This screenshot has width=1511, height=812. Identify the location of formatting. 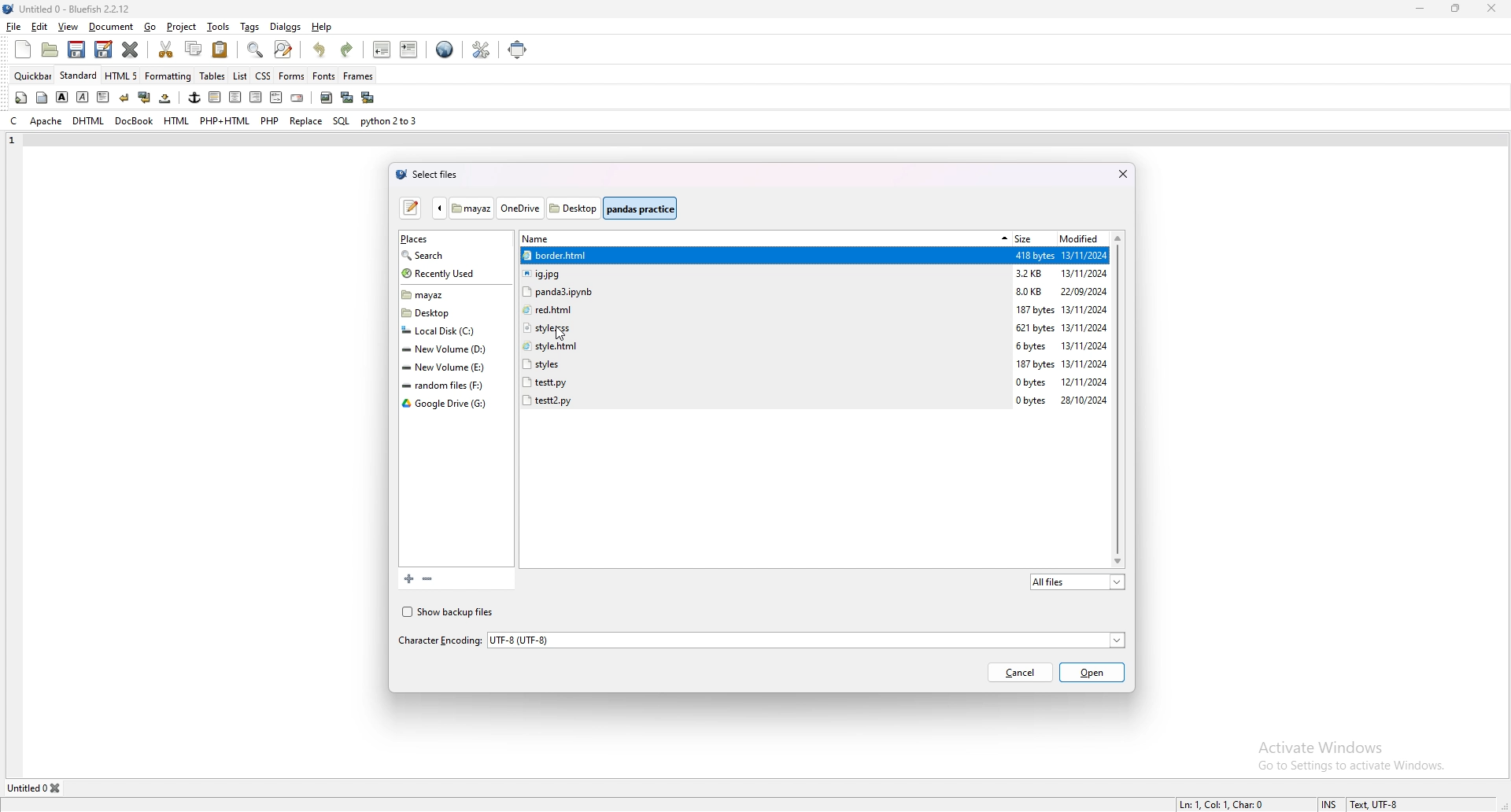
(168, 76).